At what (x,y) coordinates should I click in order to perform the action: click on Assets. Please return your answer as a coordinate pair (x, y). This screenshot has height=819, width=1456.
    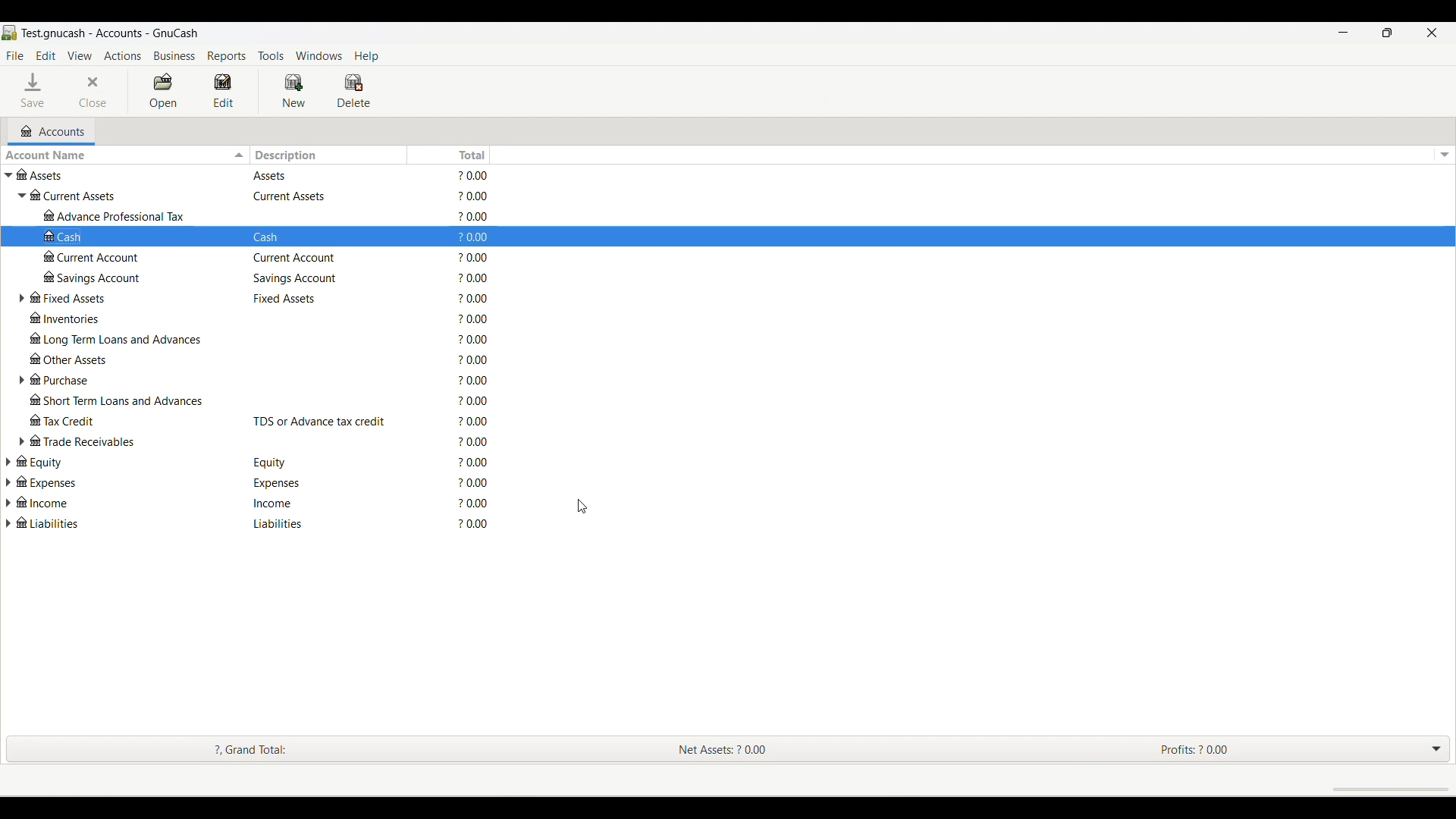
    Looking at the image, I should click on (126, 174).